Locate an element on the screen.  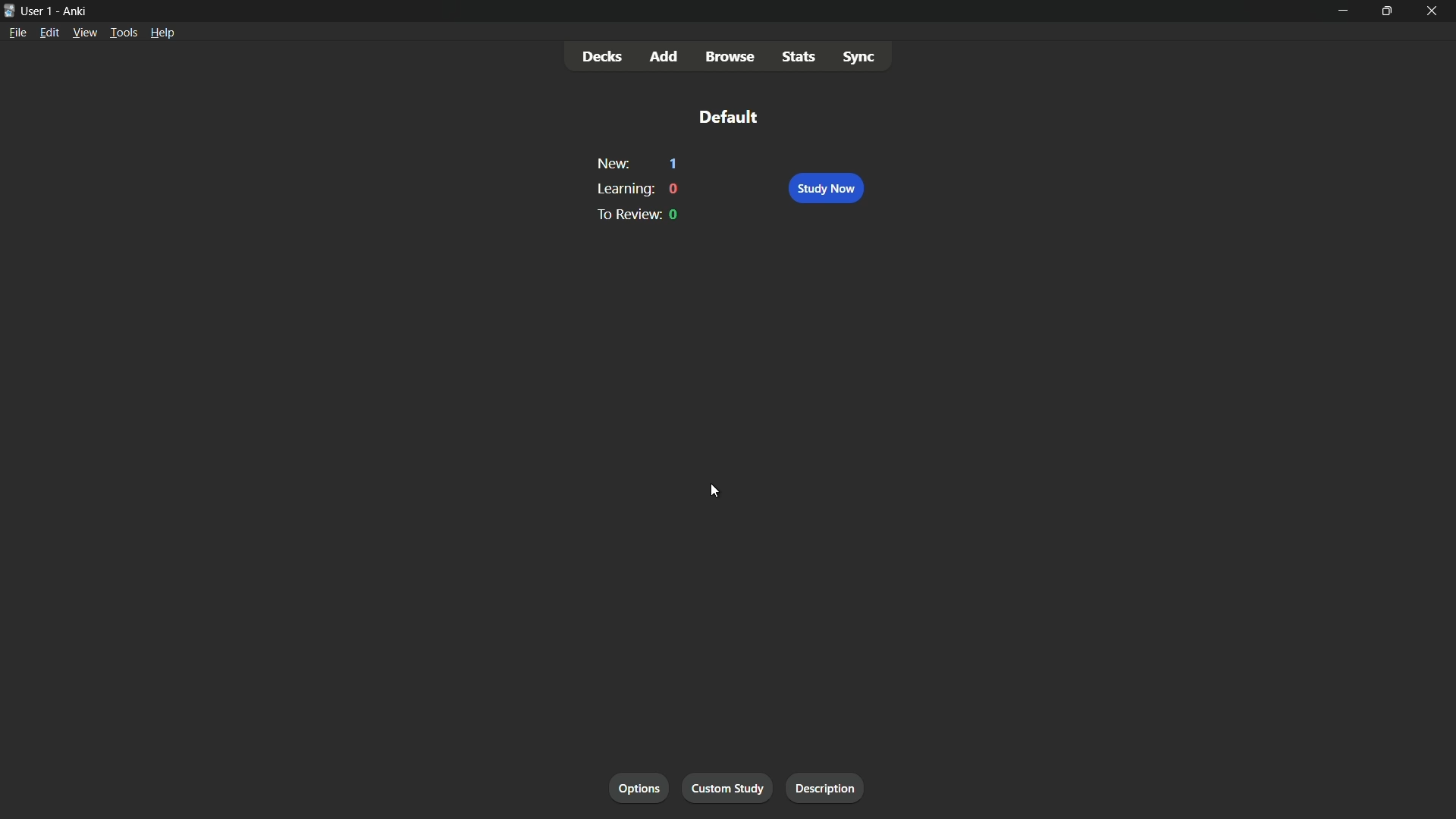
help is located at coordinates (163, 35).